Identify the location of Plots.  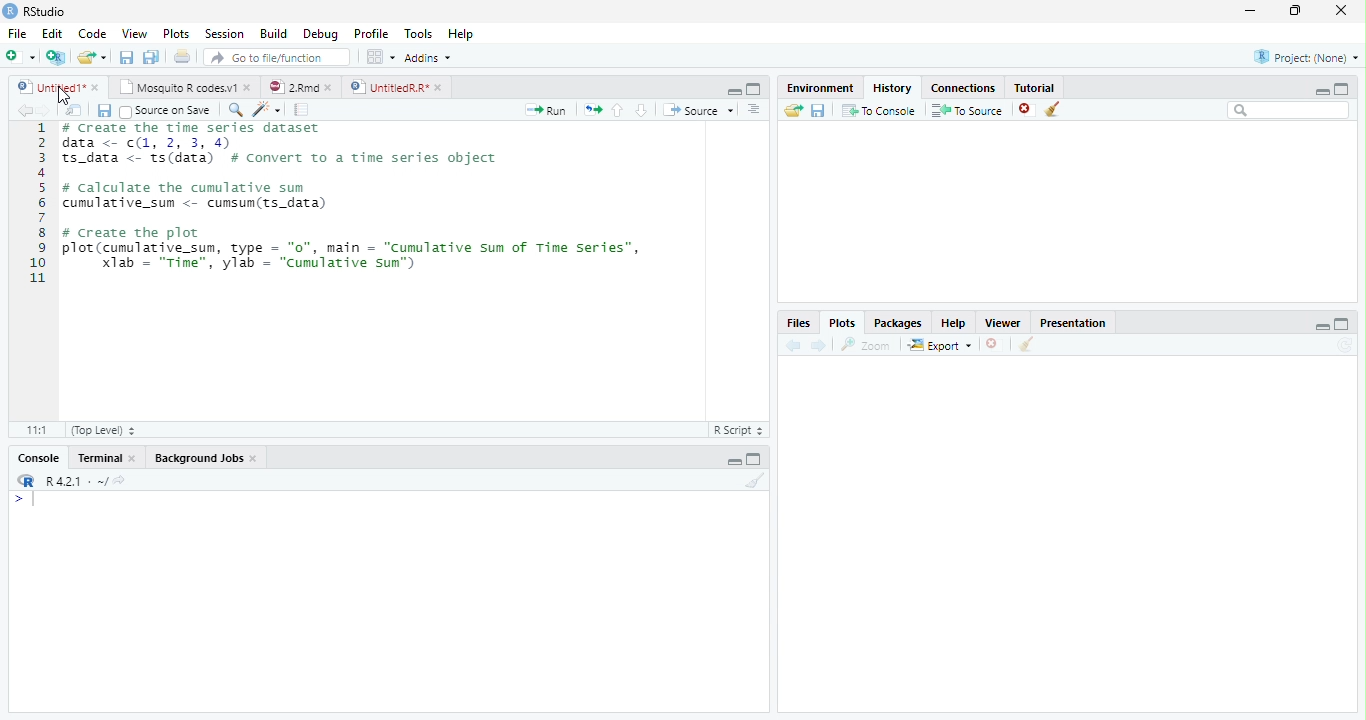
(843, 322).